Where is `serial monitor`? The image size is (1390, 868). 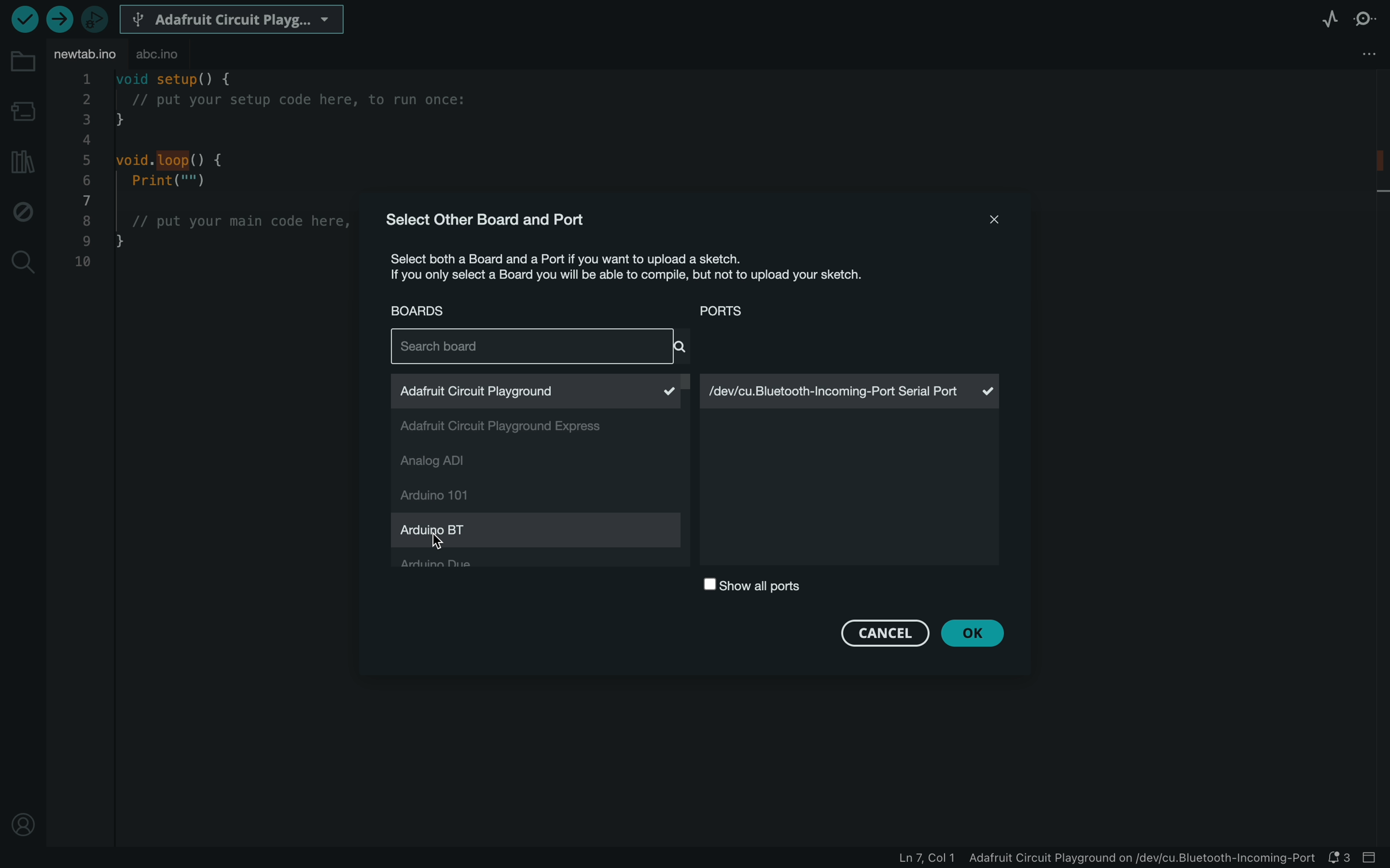
serial monitor is located at coordinates (1370, 21).